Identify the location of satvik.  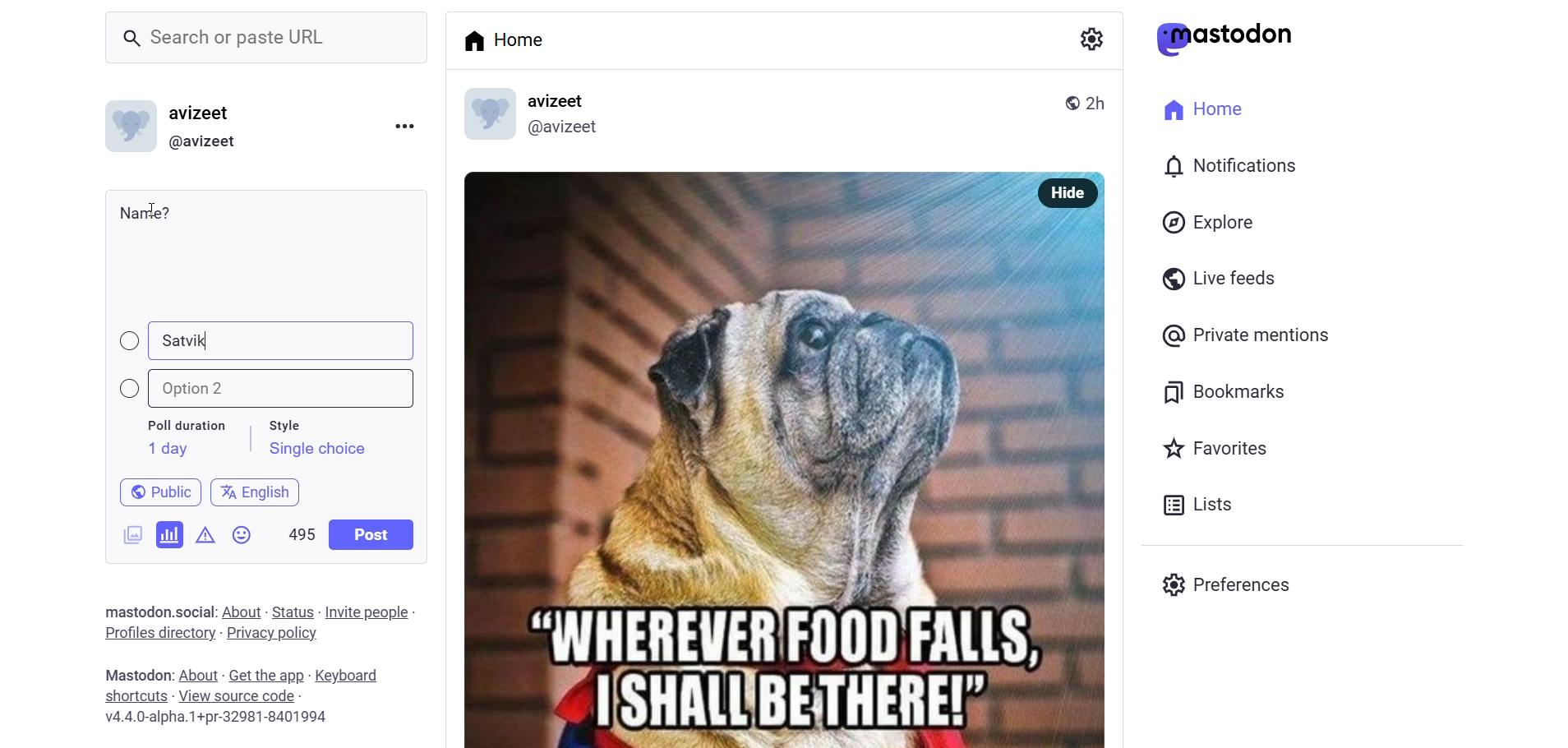
(186, 340).